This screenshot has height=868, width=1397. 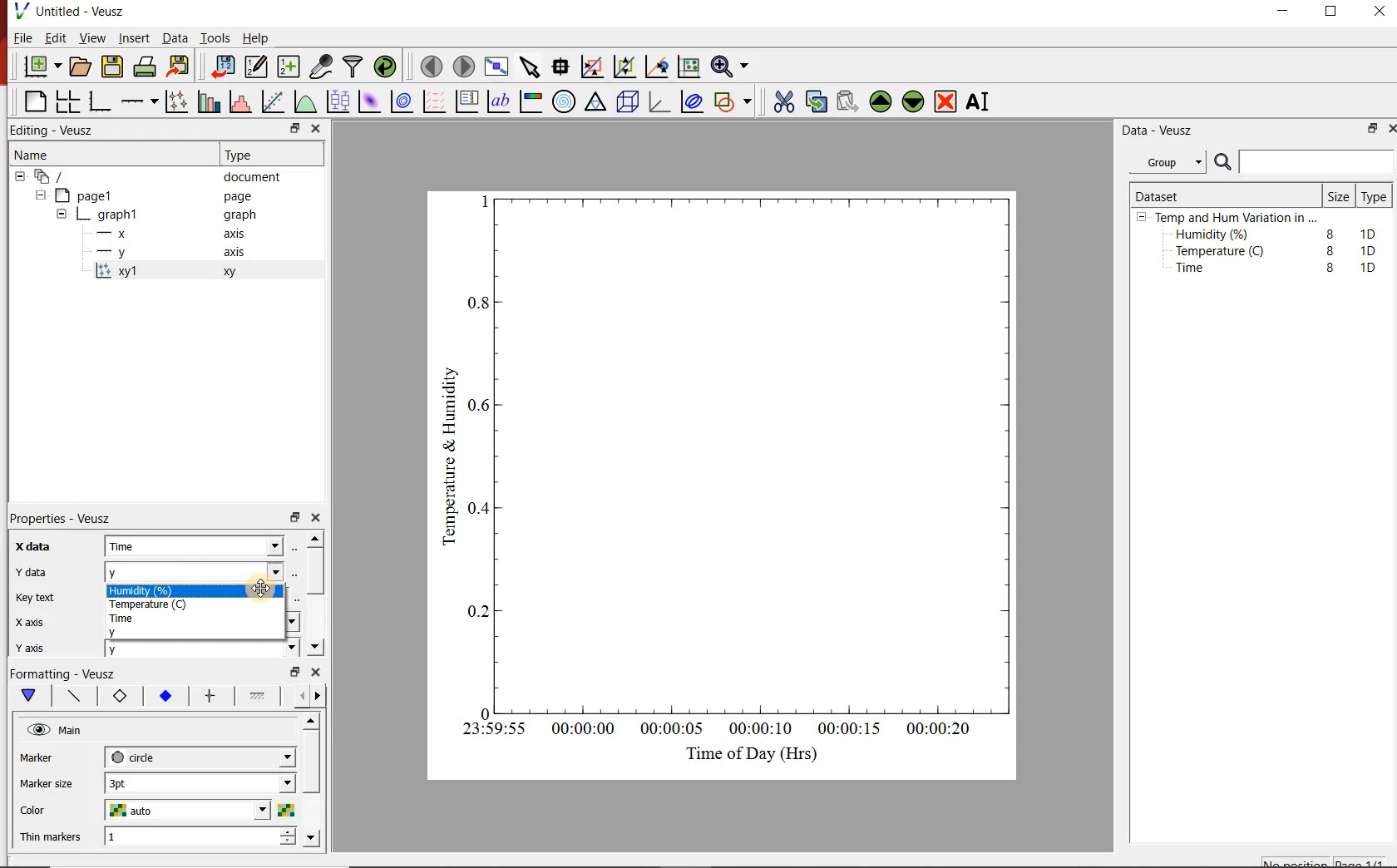 What do you see at coordinates (19, 37) in the screenshot?
I see `File` at bounding box center [19, 37].